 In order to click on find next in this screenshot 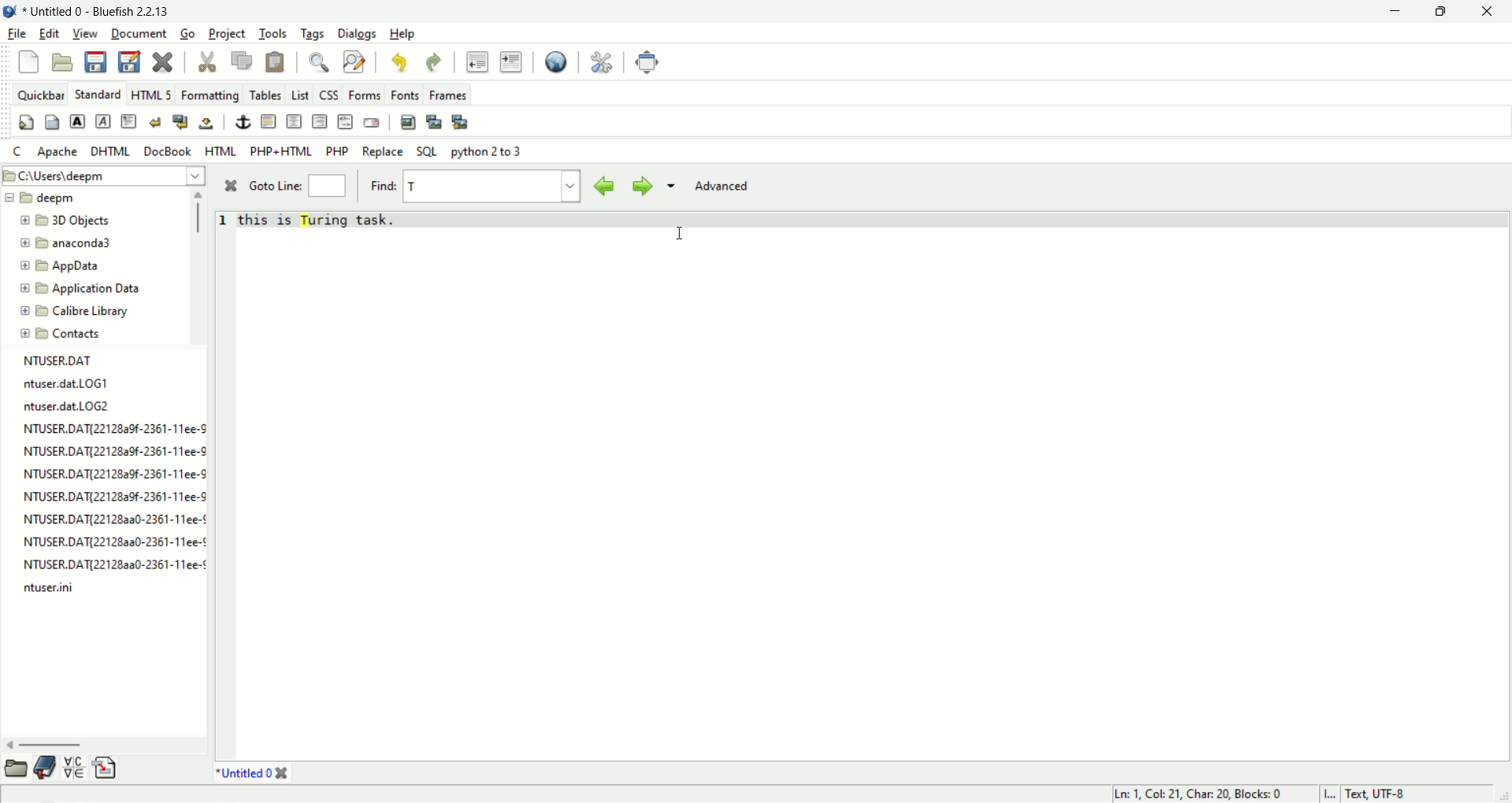, I will do `click(639, 186)`.